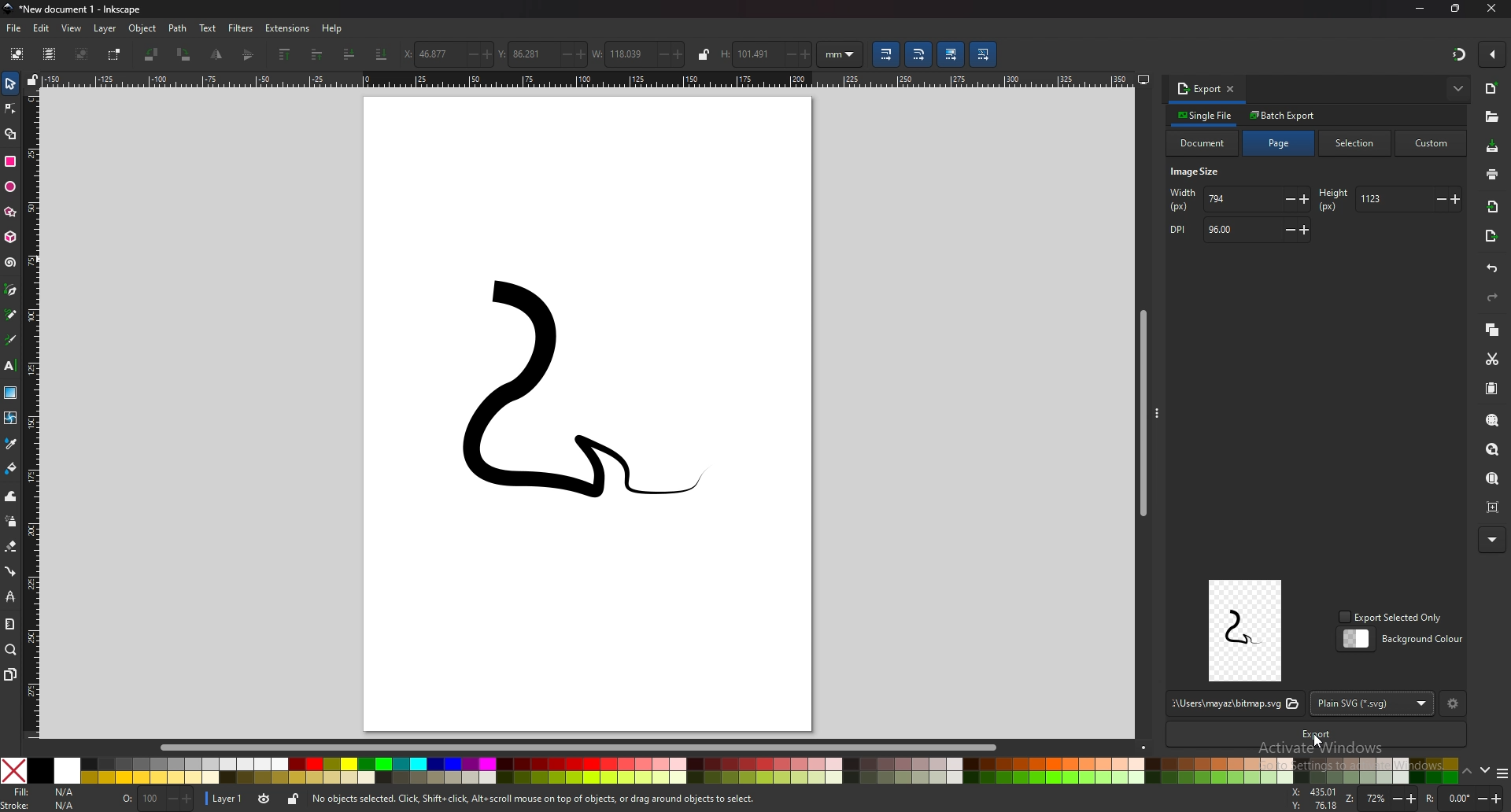  Describe the element at coordinates (10, 238) in the screenshot. I see `3d box` at that location.